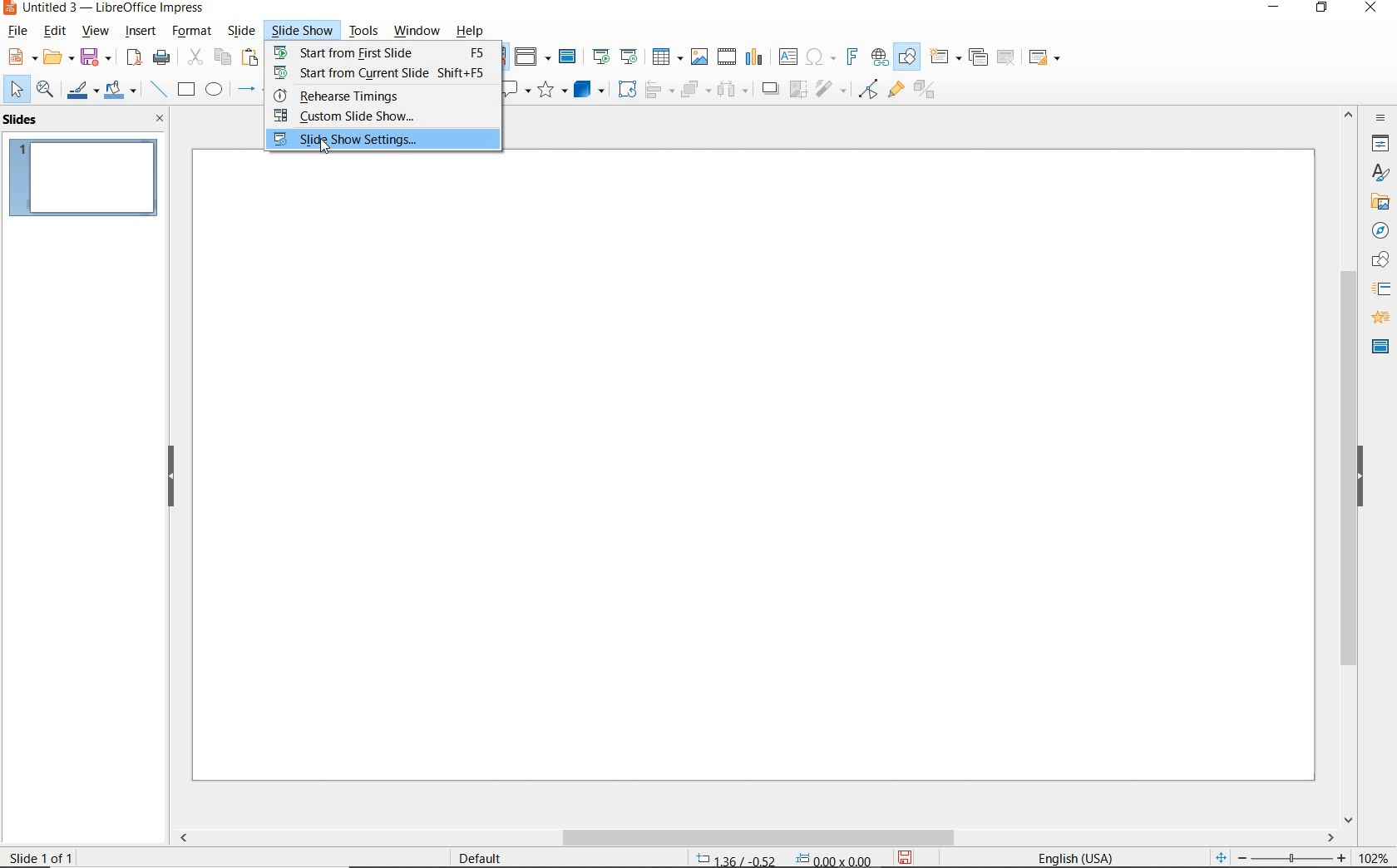  I want to click on TOGGLE EXTRUSION, so click(924, 91).